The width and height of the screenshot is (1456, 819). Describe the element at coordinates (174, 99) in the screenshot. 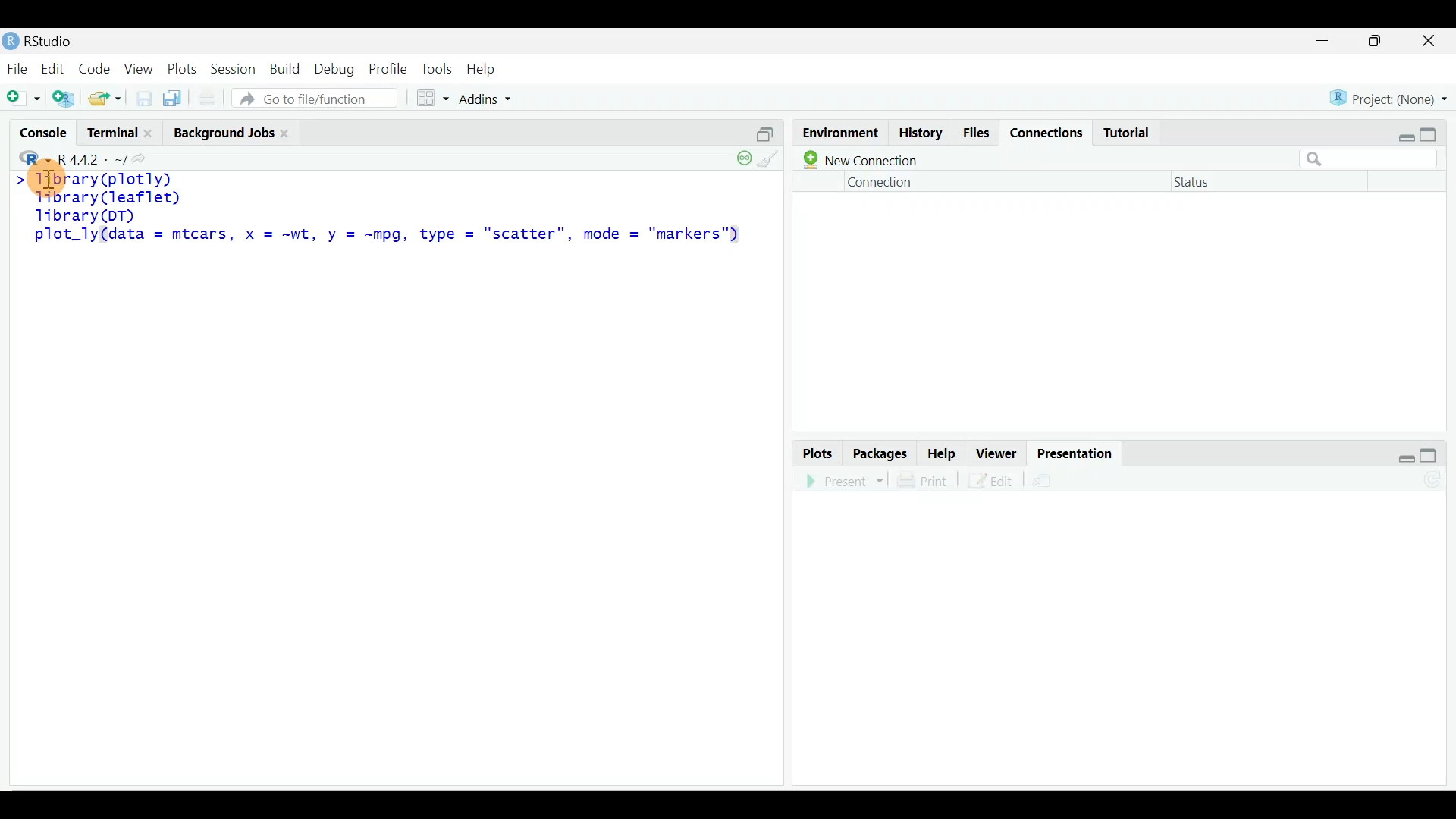

I see `Save all open documents` at that location.